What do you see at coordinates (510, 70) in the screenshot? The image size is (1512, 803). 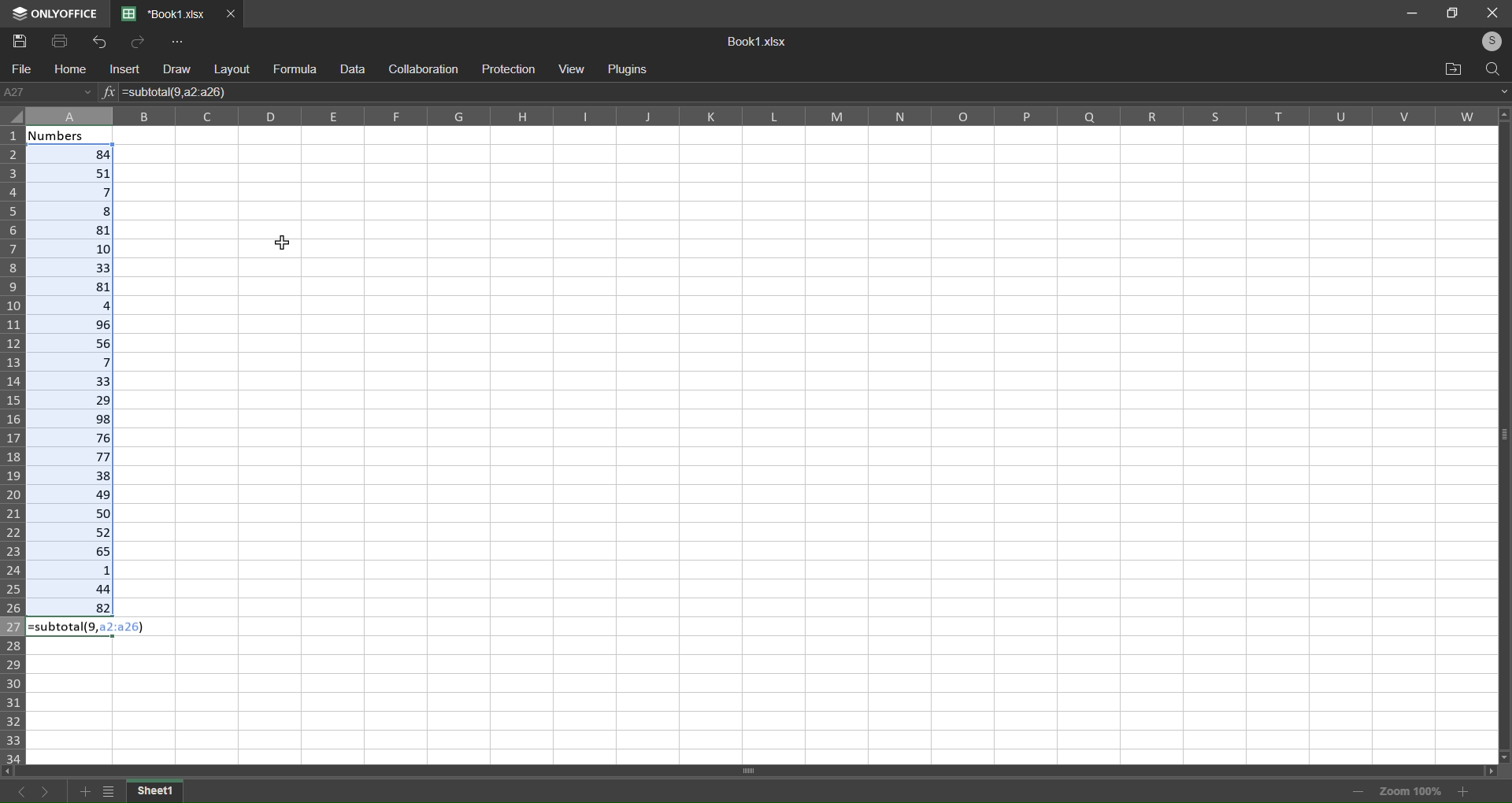 I see `protection` at bounding box center [510, 70].